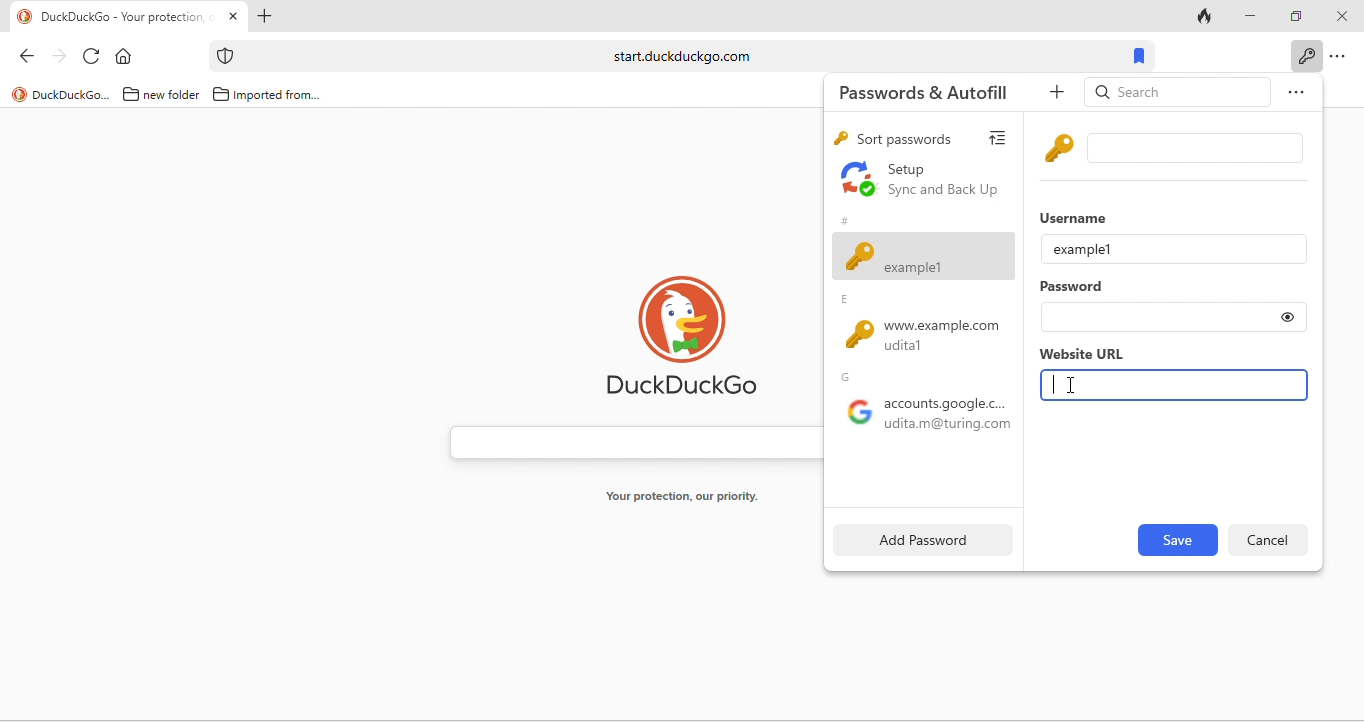 Image resolution: width=1364 pixels, height=722 pixels. Describe the element at coordinates (1266, 538) in the screenshot. I see `delete` at that location.